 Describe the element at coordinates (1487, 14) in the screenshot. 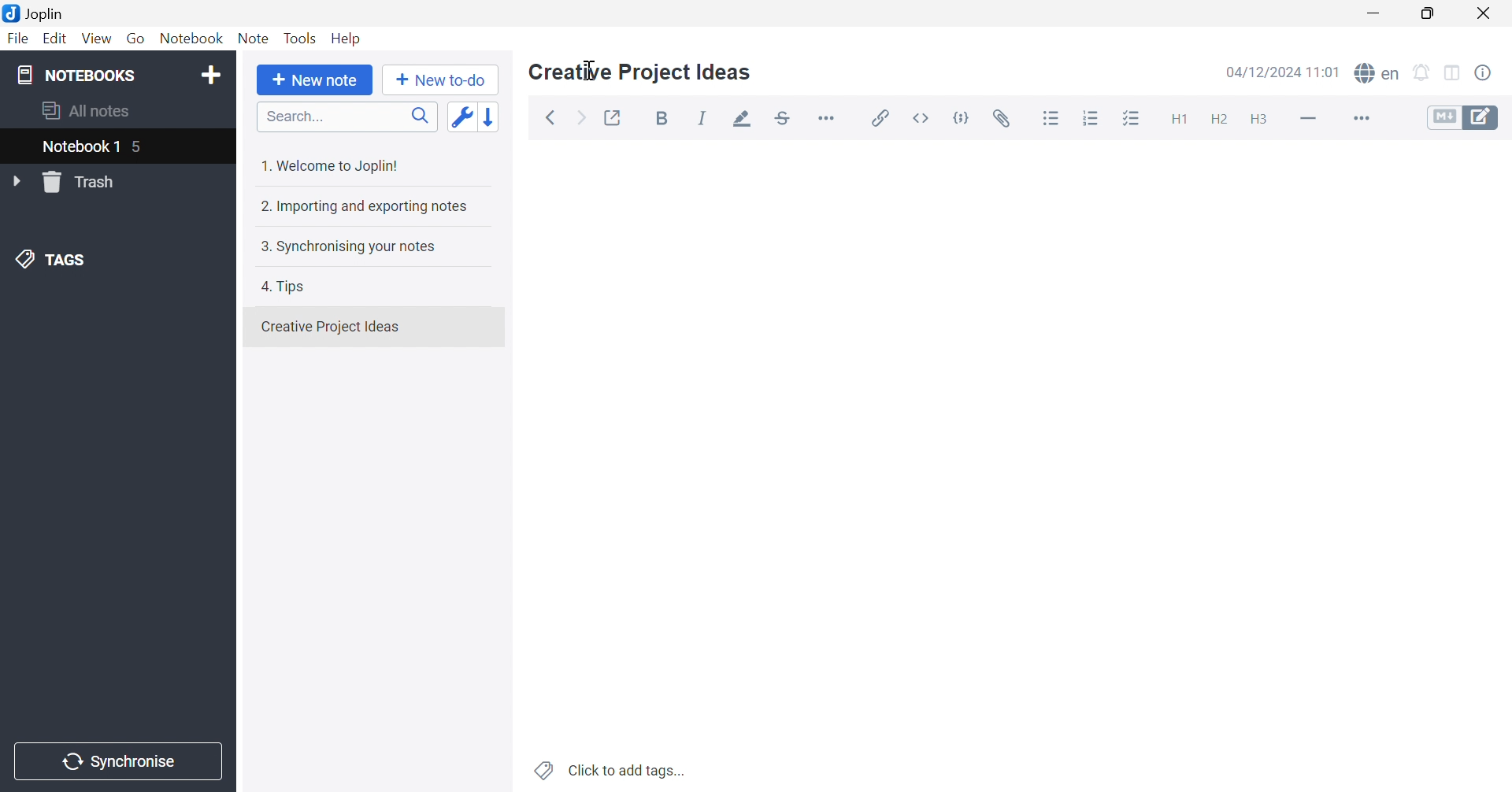

I see `Close` at that location.